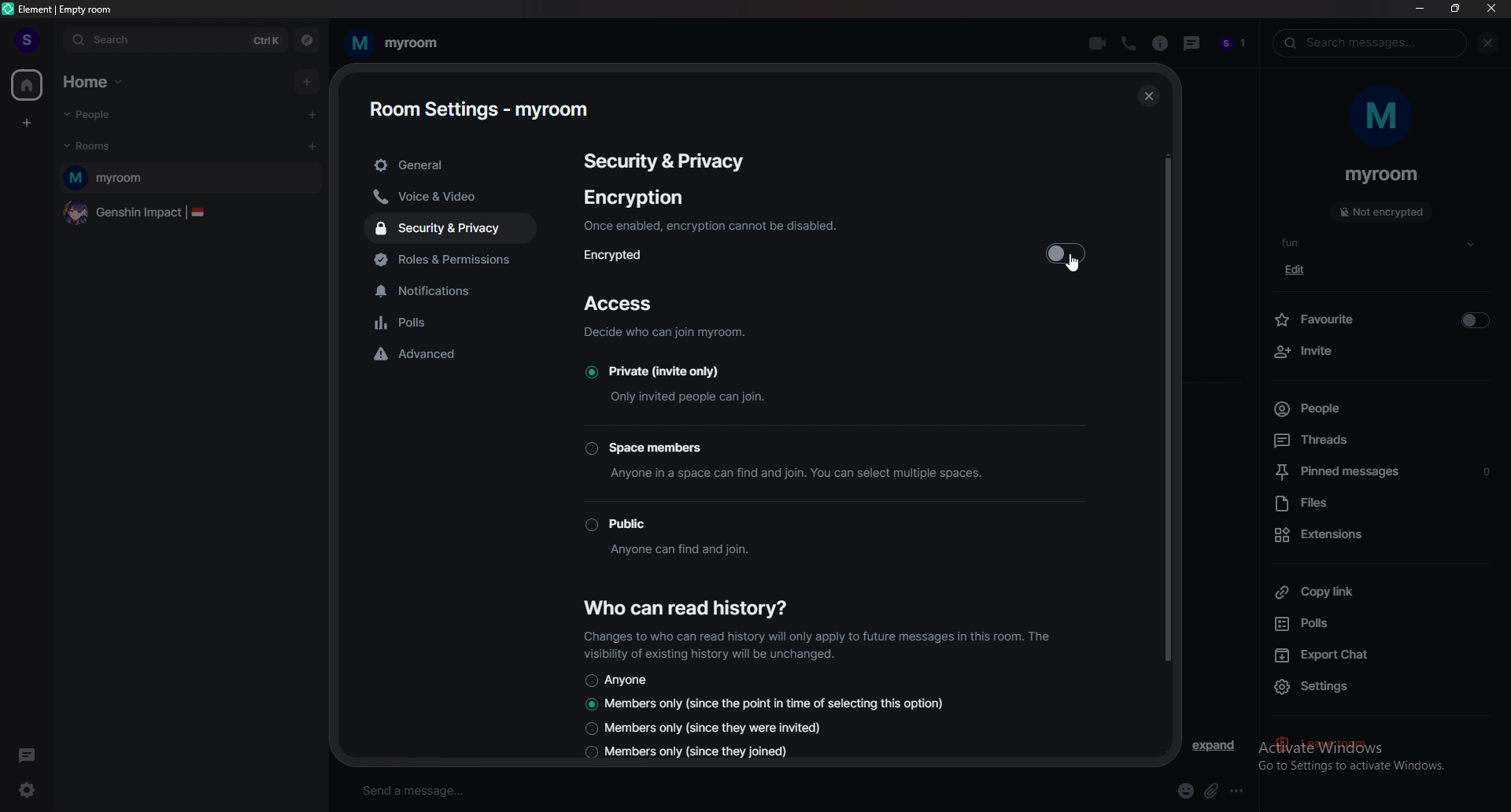 The image size is (1511, 812). Describe the element at coordinates (1313, 688) in the screenshot. I see `settings` at that location.